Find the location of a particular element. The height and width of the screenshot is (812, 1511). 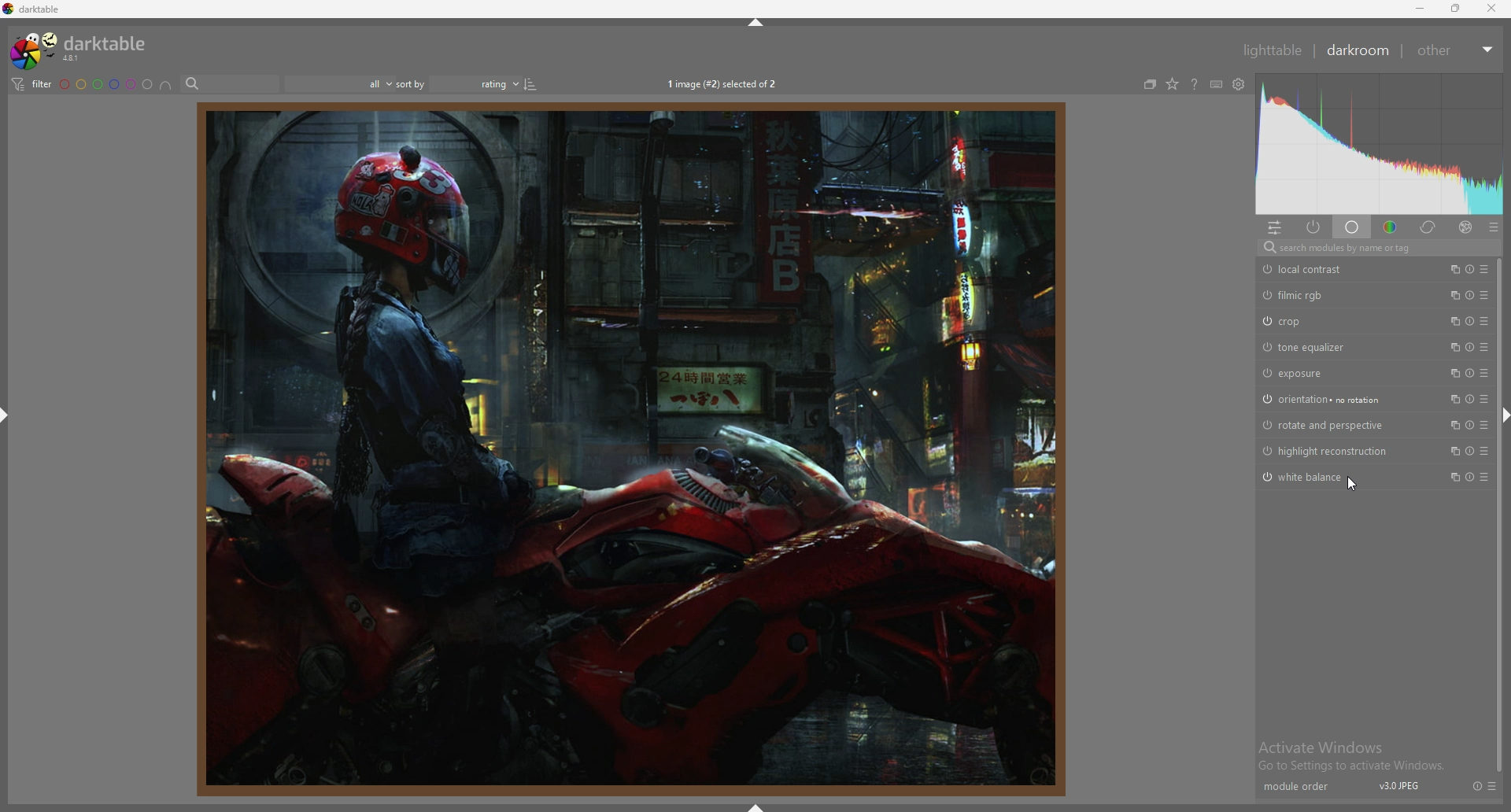

image is located at coordinates (628, 448).